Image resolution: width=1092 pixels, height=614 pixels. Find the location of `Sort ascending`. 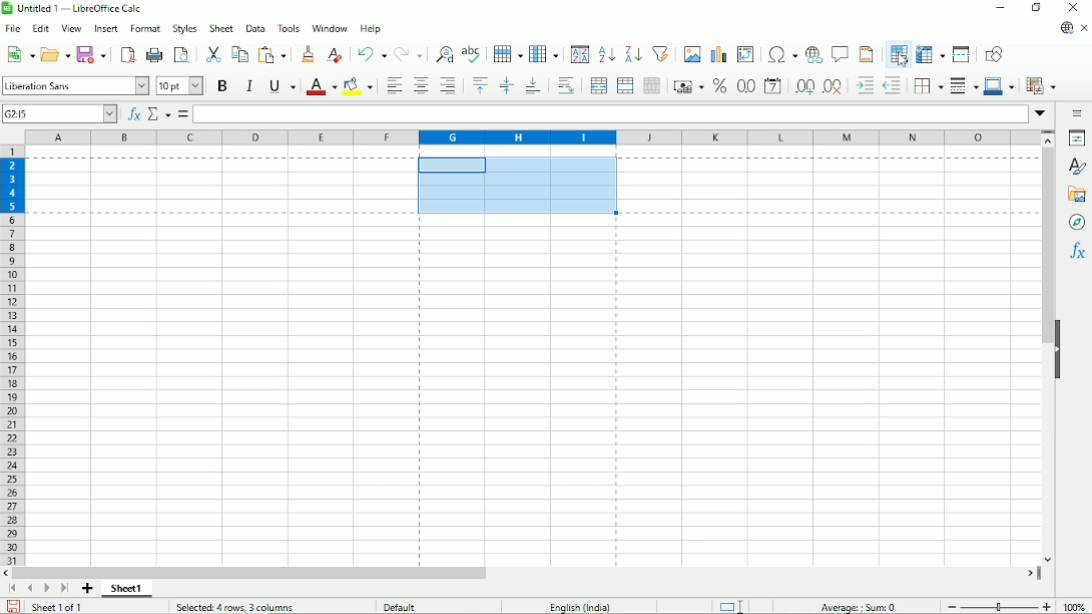

Sort ascending is located at coordinates (606, 55).